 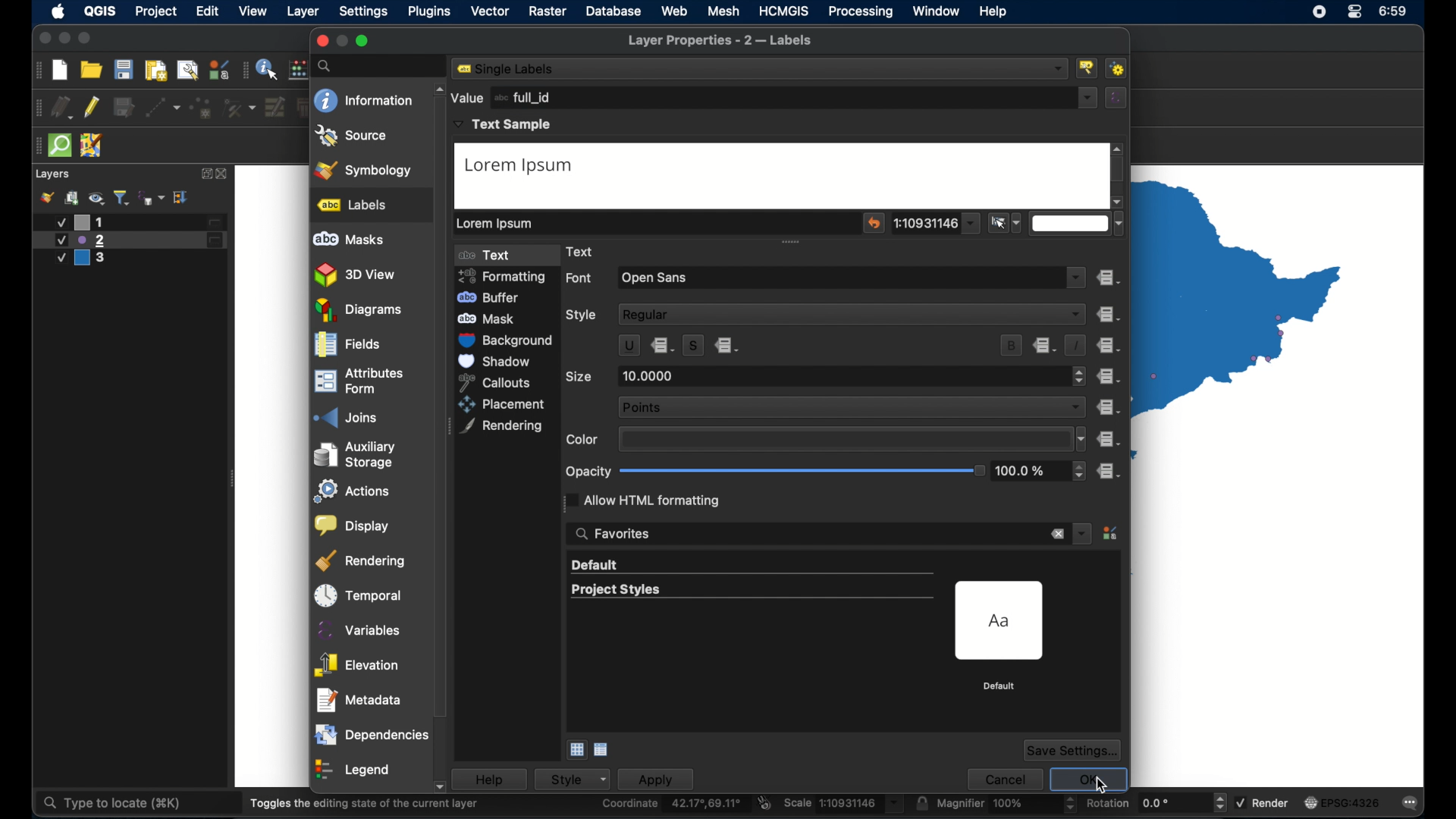 I want to click on s, so click(x=693, y=344).